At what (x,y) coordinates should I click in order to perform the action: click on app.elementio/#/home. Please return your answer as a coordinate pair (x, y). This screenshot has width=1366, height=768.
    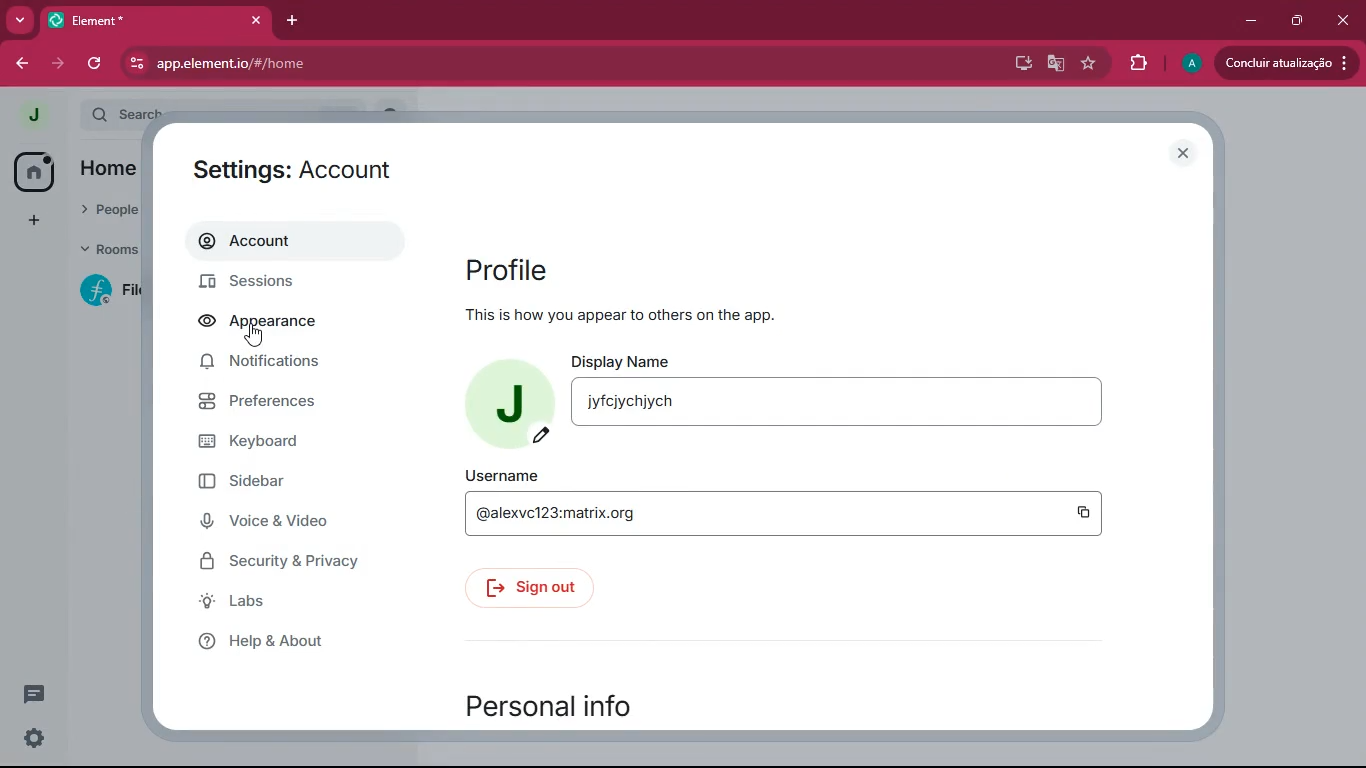
    Looking at the image, I should click on (371, 63).